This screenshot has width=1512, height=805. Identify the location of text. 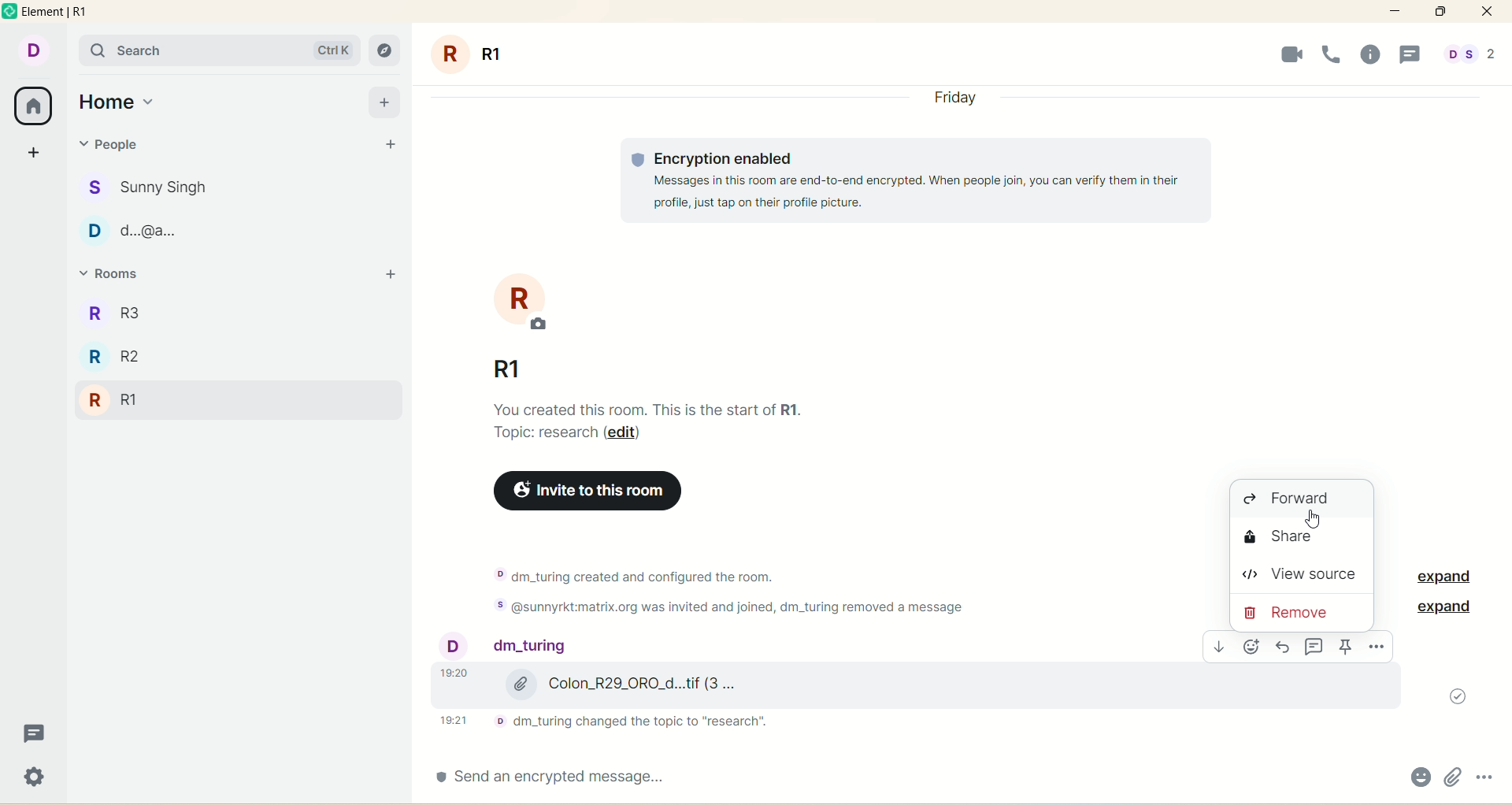
(914, 182).